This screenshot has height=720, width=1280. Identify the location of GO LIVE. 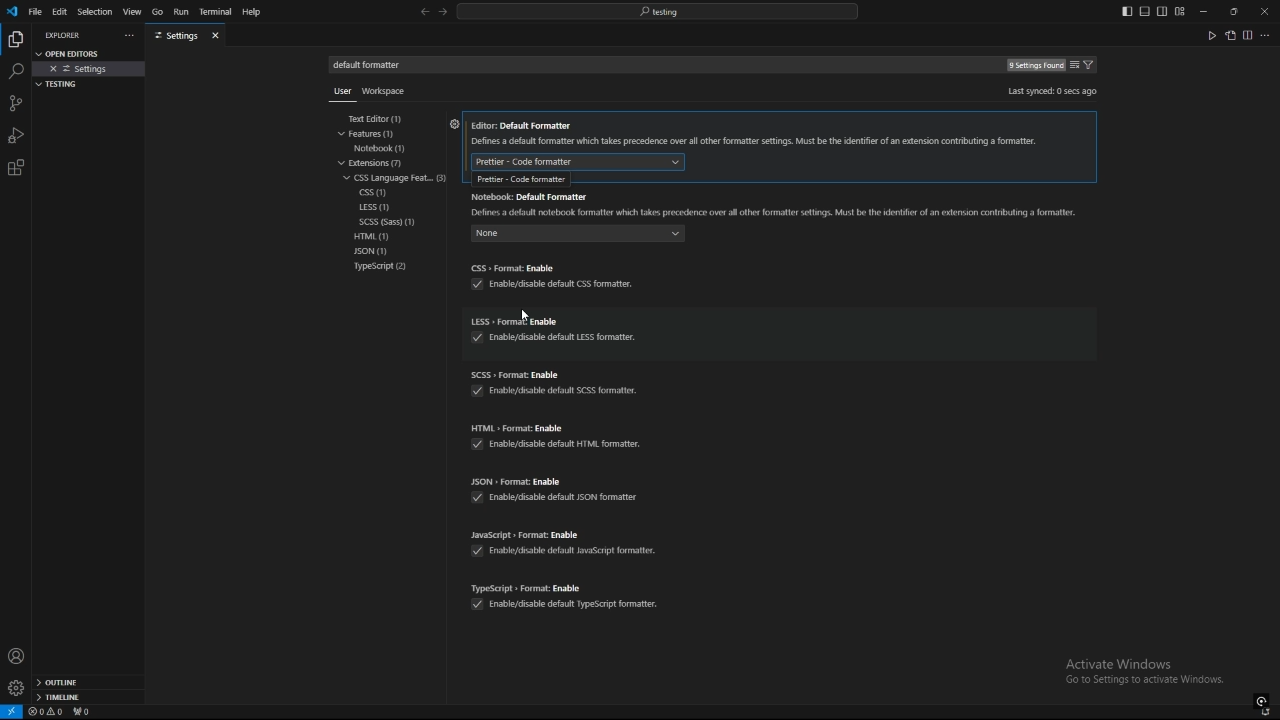
(1262, 700).